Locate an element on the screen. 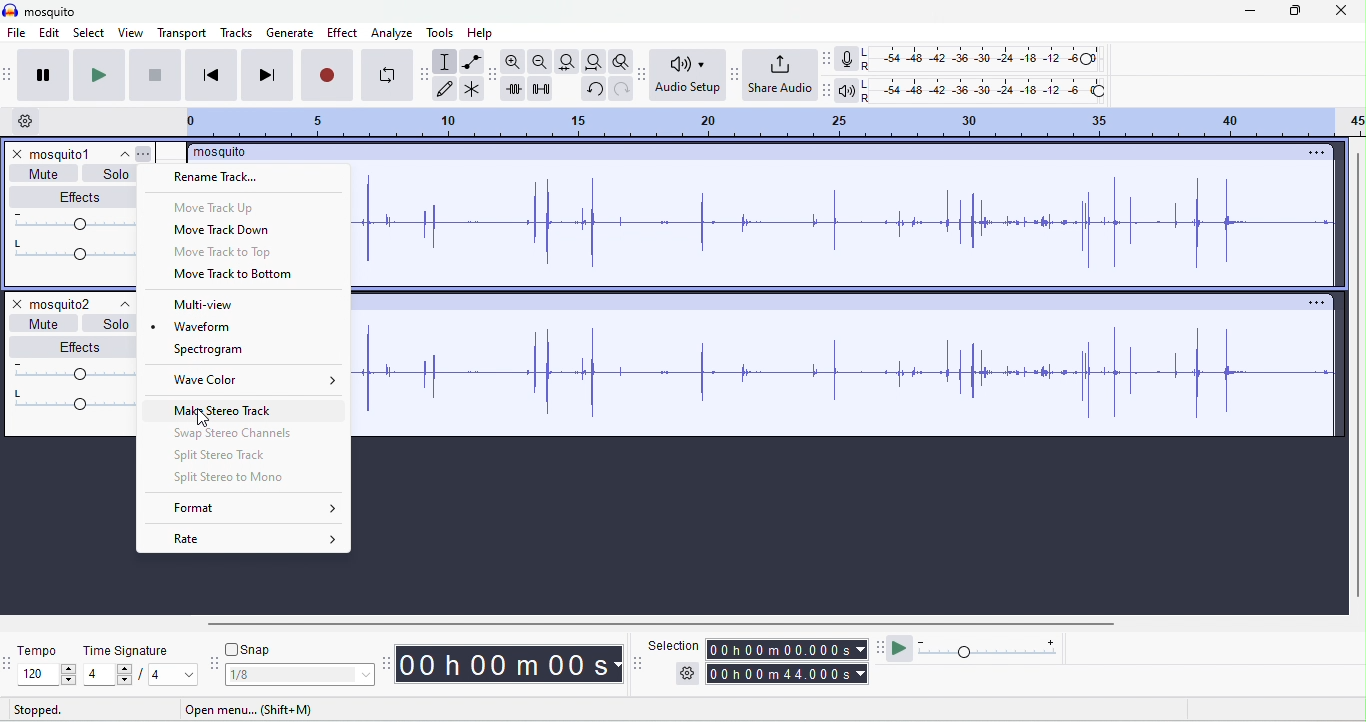 This screenshot has width=1366, height=722. tools is located at coordinates (441, 32).